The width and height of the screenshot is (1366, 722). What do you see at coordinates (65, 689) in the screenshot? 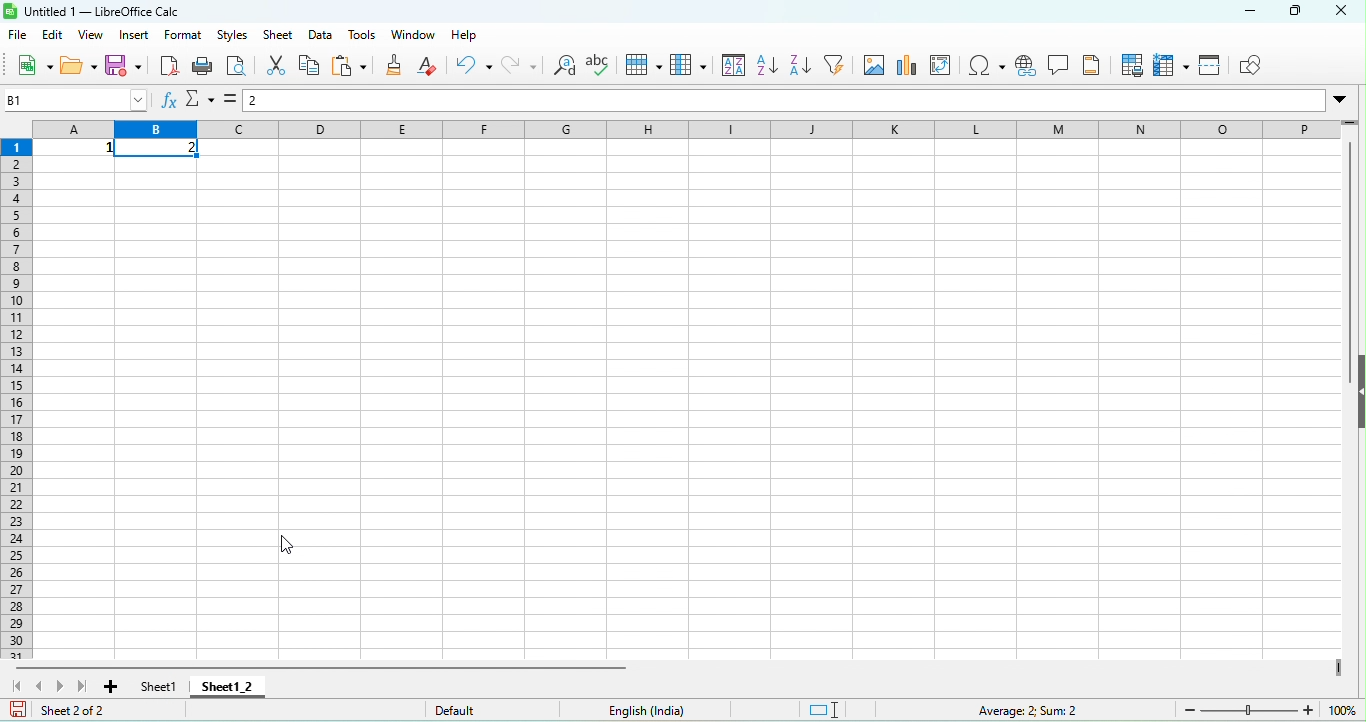
I see `scroll to next sheet` at bounding box center [65, 689].